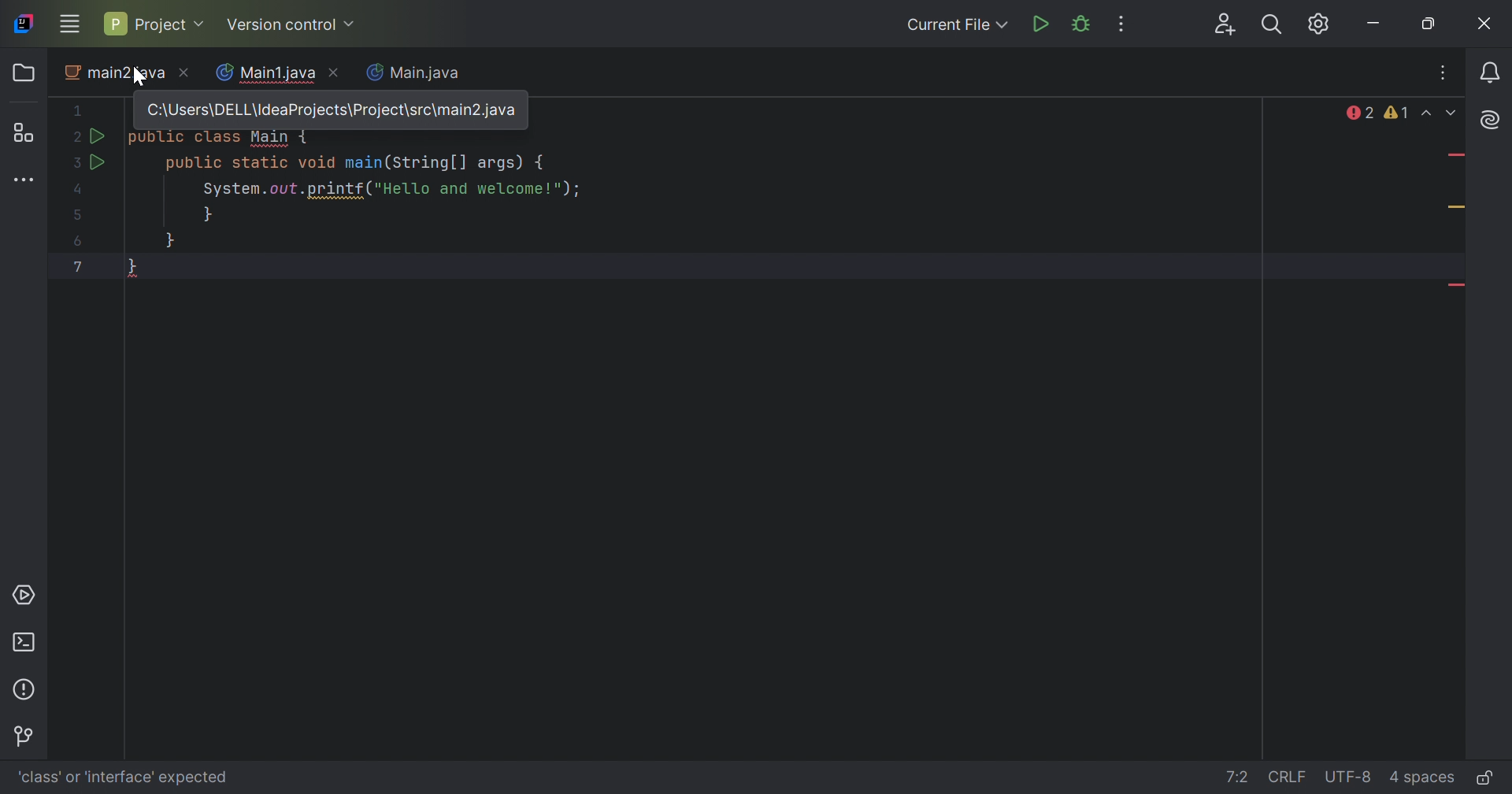 This screenshot has width=1512, height=794. Describe the element at coordinates (1378, 113) in the screenshot. I see `2 errors, 1 warnings` at that location.